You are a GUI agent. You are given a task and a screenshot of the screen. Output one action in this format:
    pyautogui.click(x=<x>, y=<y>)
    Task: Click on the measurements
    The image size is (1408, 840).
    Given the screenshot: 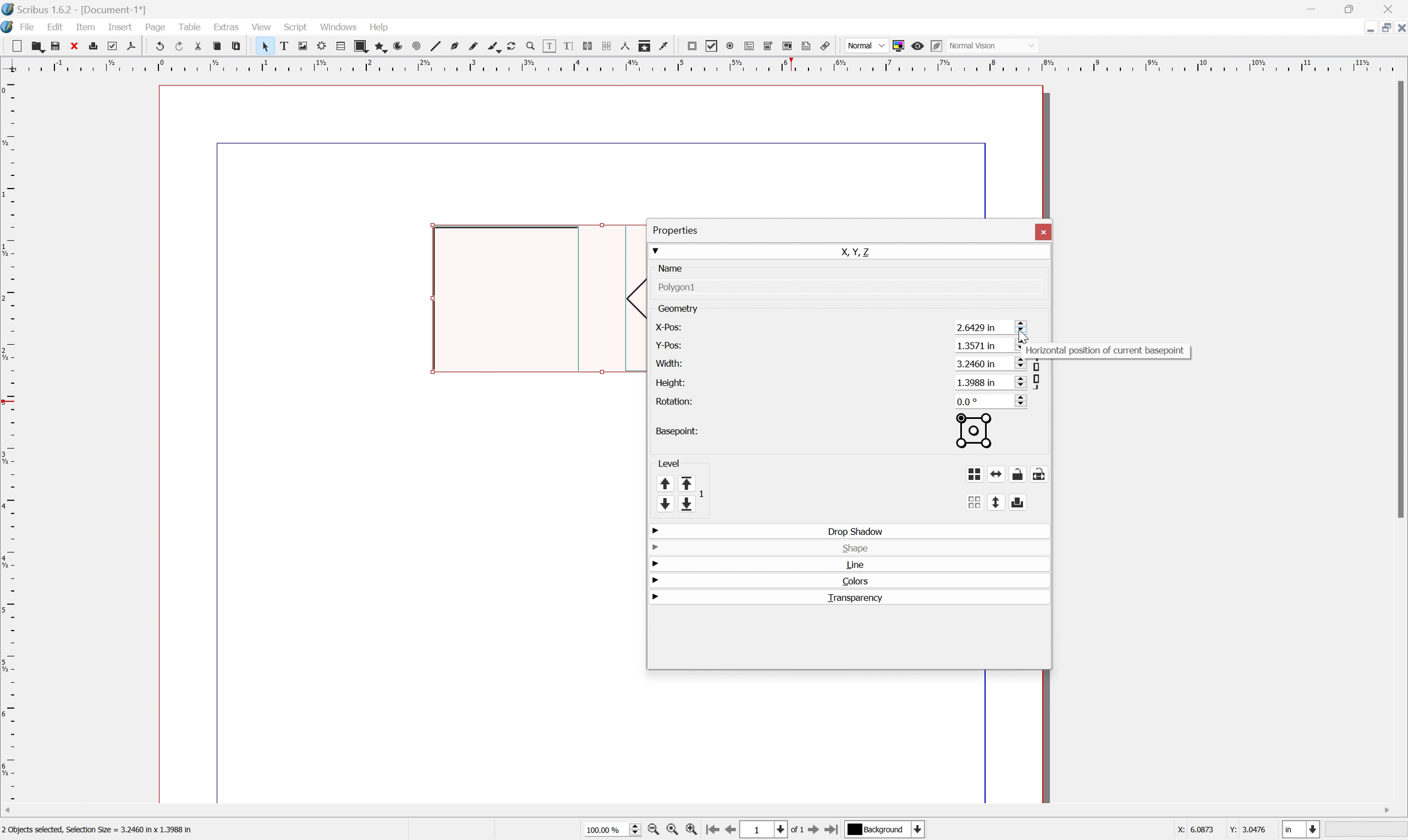 What is the action you would take?
    pyautogui.click(x=624, y=46)
    